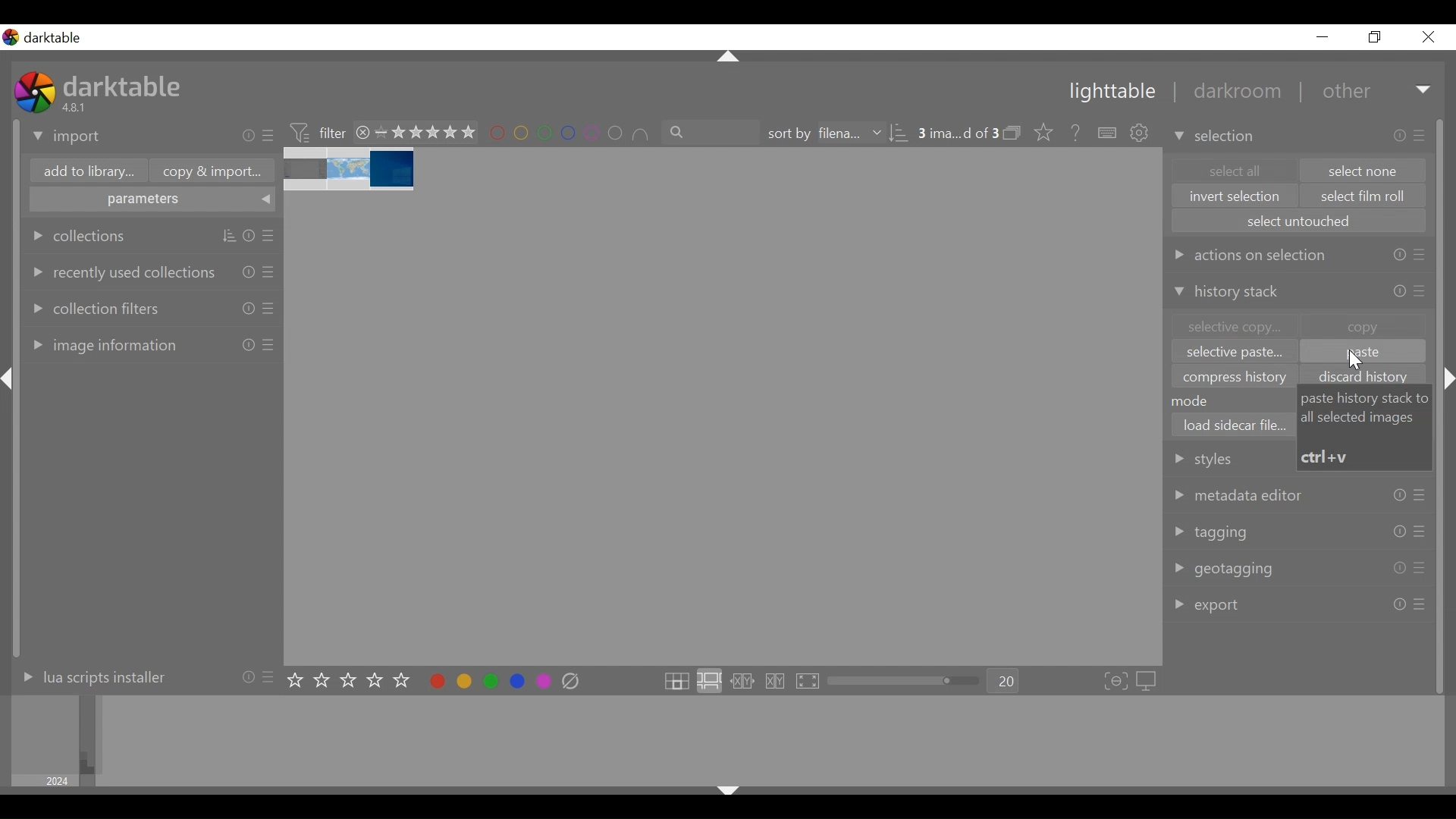 This screenshot has height=819, width=1456. I want to click on set display profile, so click(1148, 681).